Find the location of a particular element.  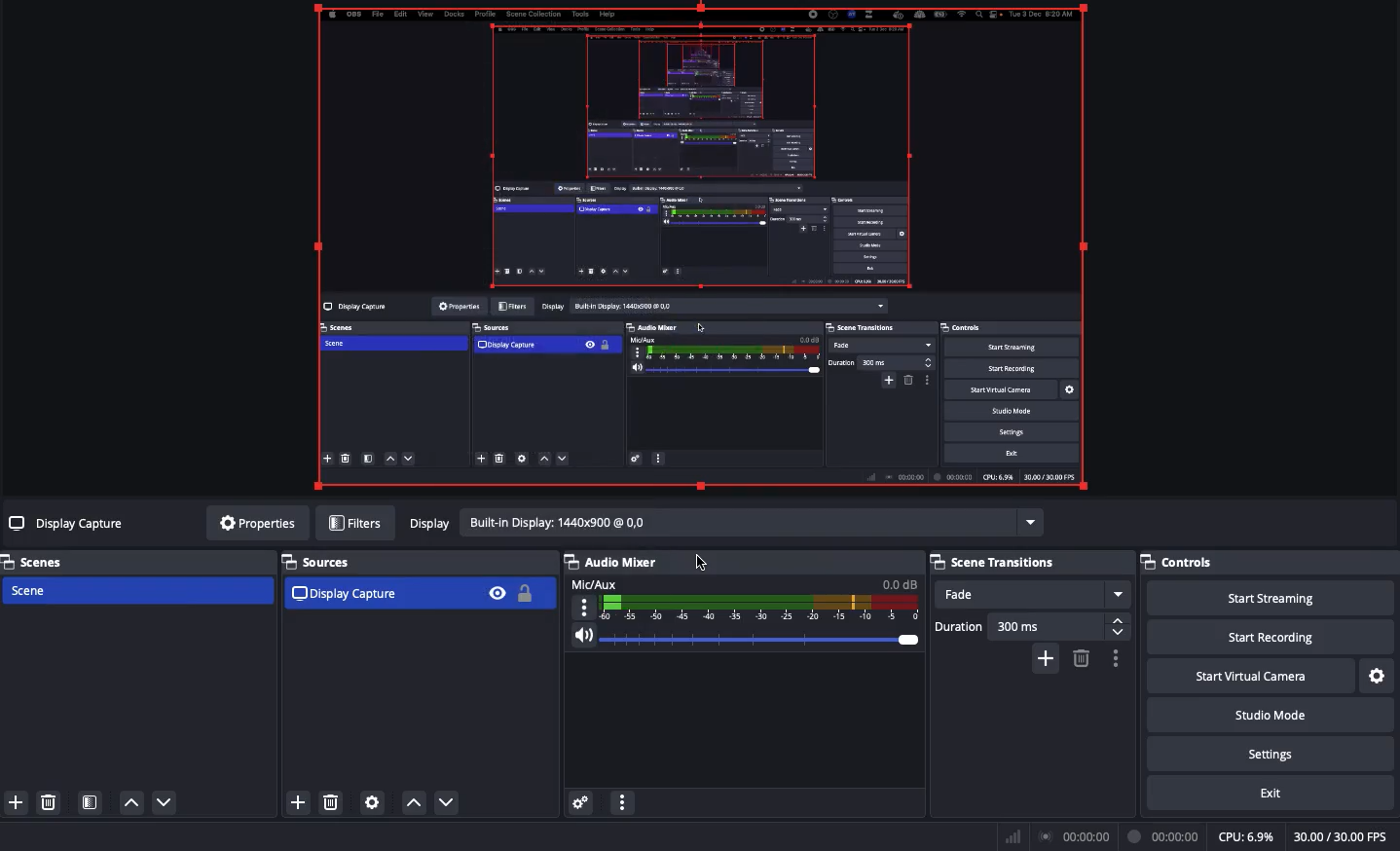

Visible is located at coordinates (497, 593).